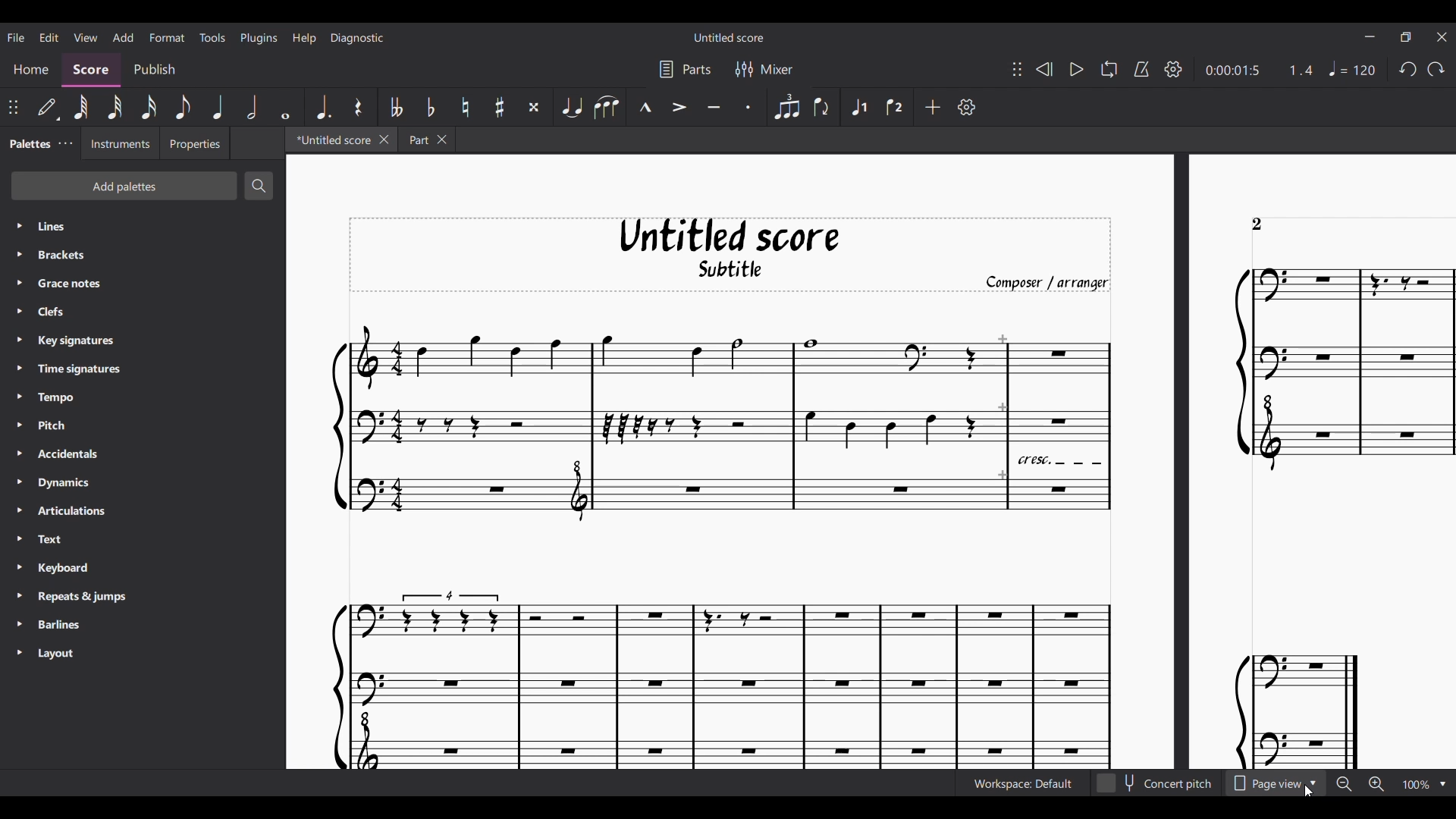 The width and height of the screenshot is (1456, 819). I want to click on 32nd note, so click(115, 106).